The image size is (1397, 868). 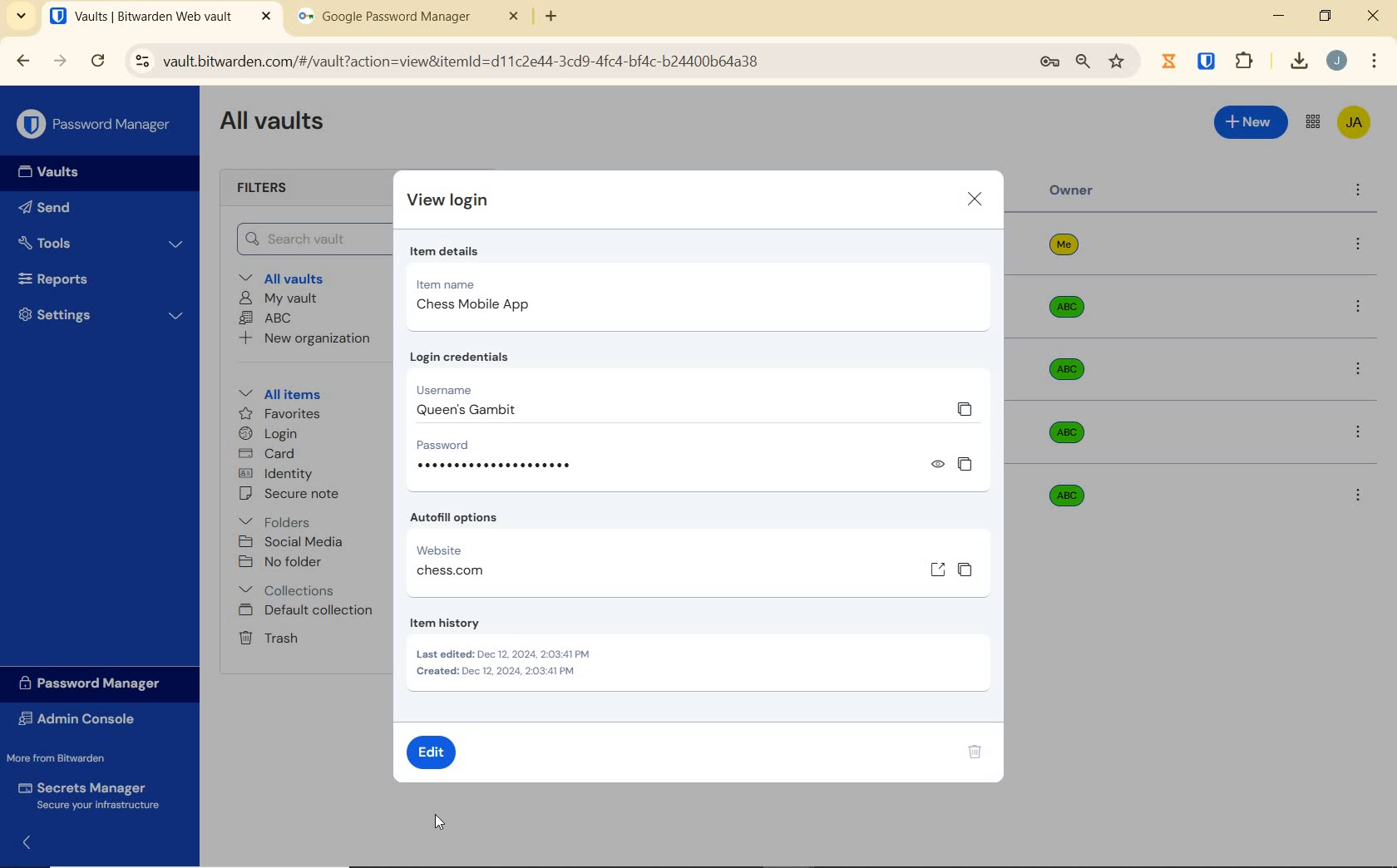 What do you see at coordinates (21, 18) in the screenshot?
I see `search tabs` at bounding box center [21, 18].